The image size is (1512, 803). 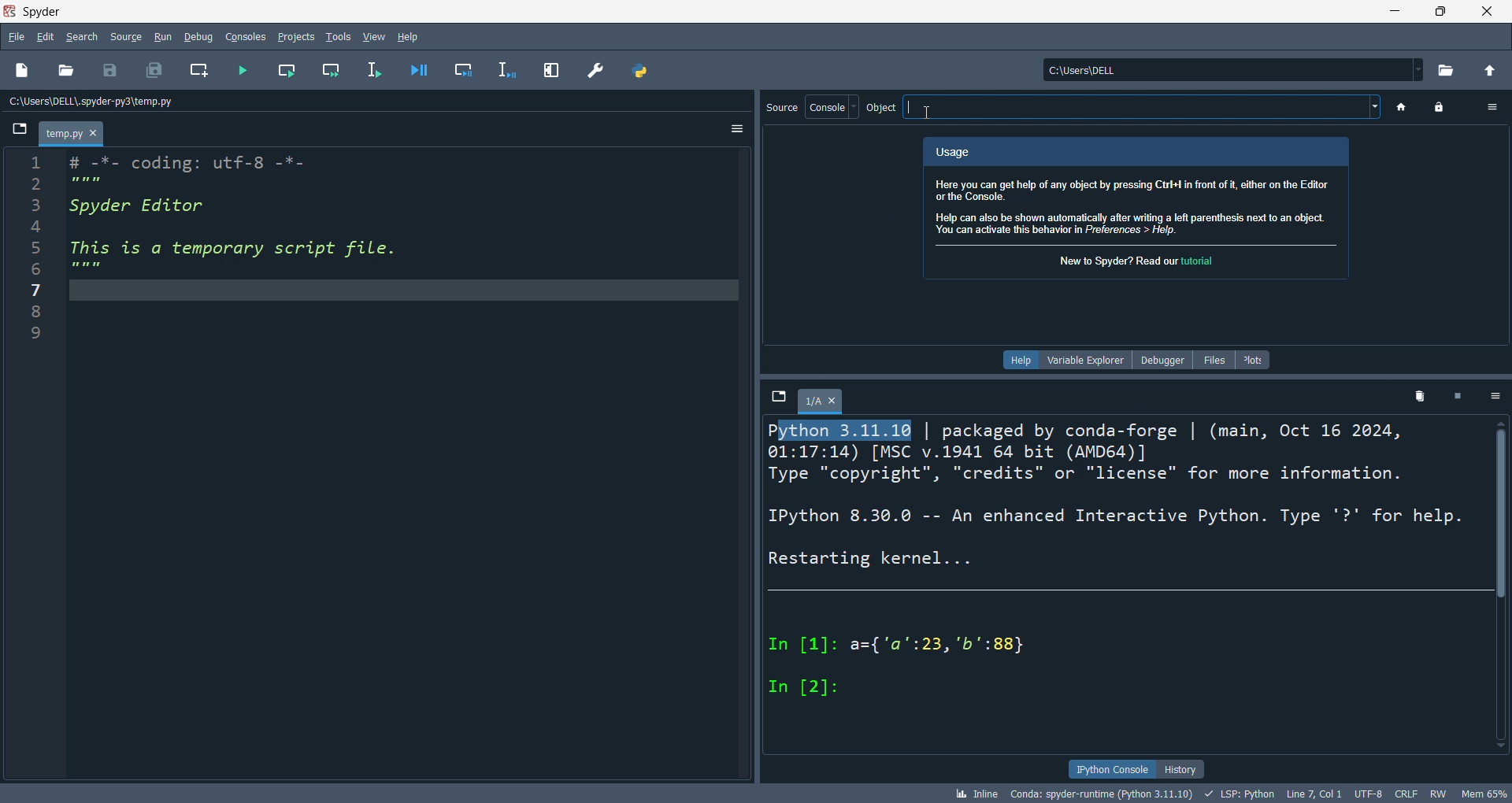 What do you see at coordinates (1435, 108) in the screenshot?
I see `lock` at bounding box center [1435, 108].